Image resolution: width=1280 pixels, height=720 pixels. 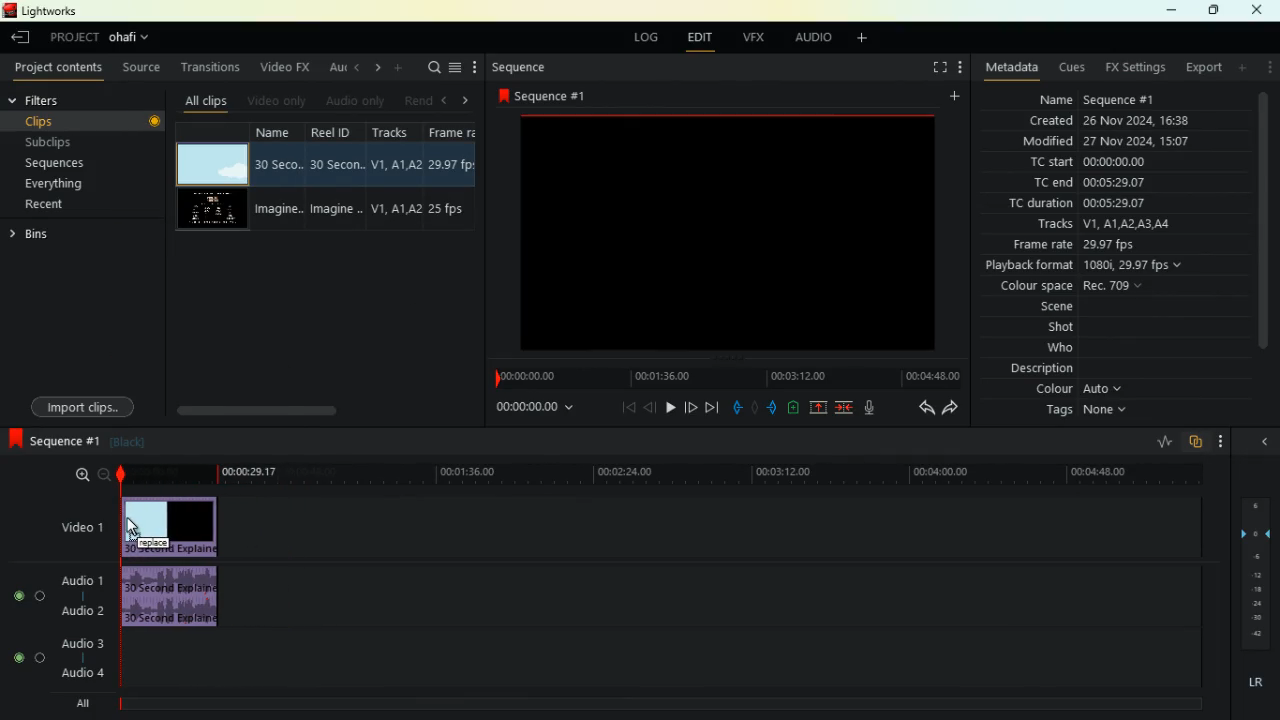 What do you see at coordinates (655, 703) in the screenshot?
I see `timelin` at bounding box center [655, 703].